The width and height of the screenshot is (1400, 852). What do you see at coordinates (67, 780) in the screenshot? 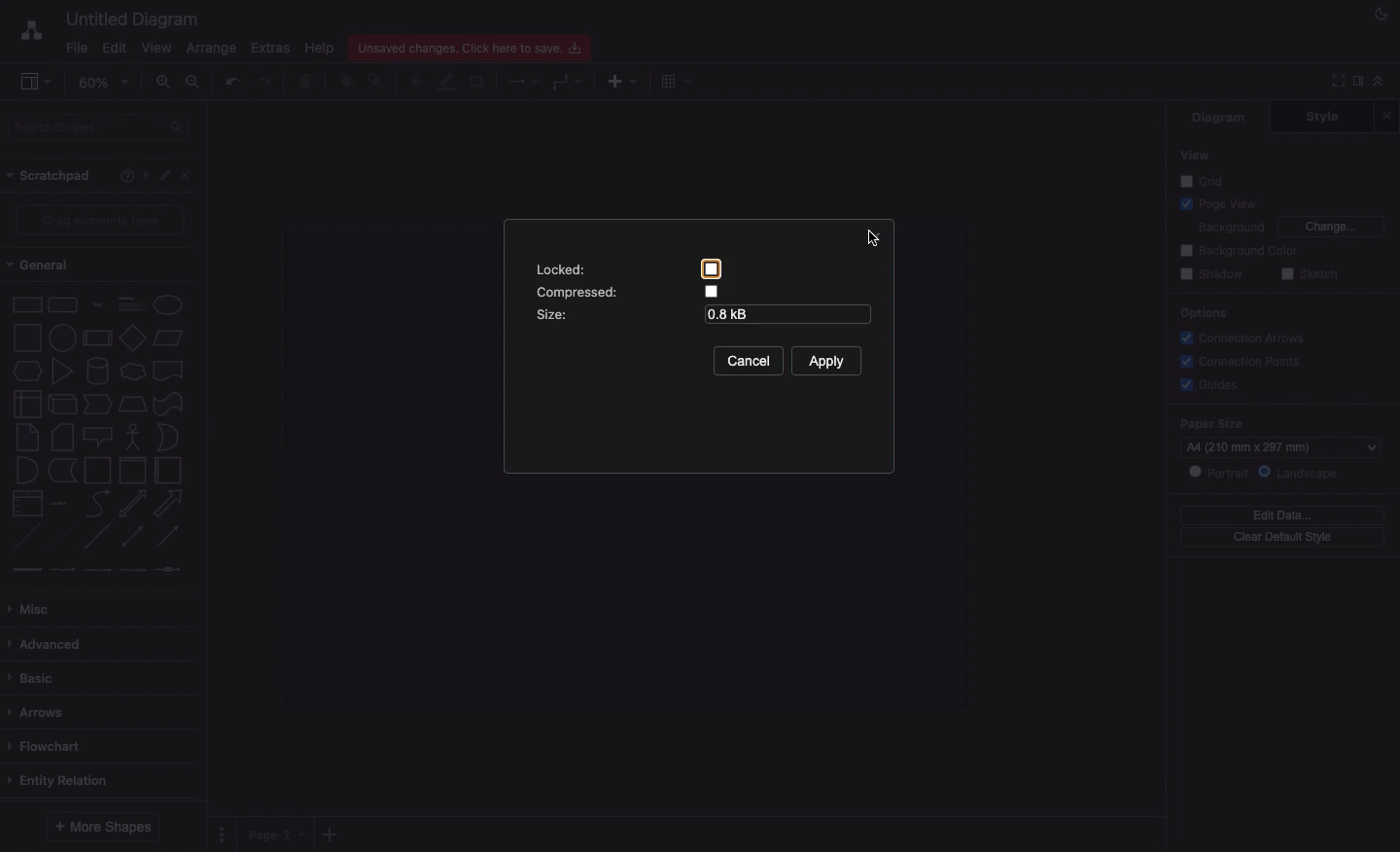
I see `Entity relation` at bounding box center [67, 780].